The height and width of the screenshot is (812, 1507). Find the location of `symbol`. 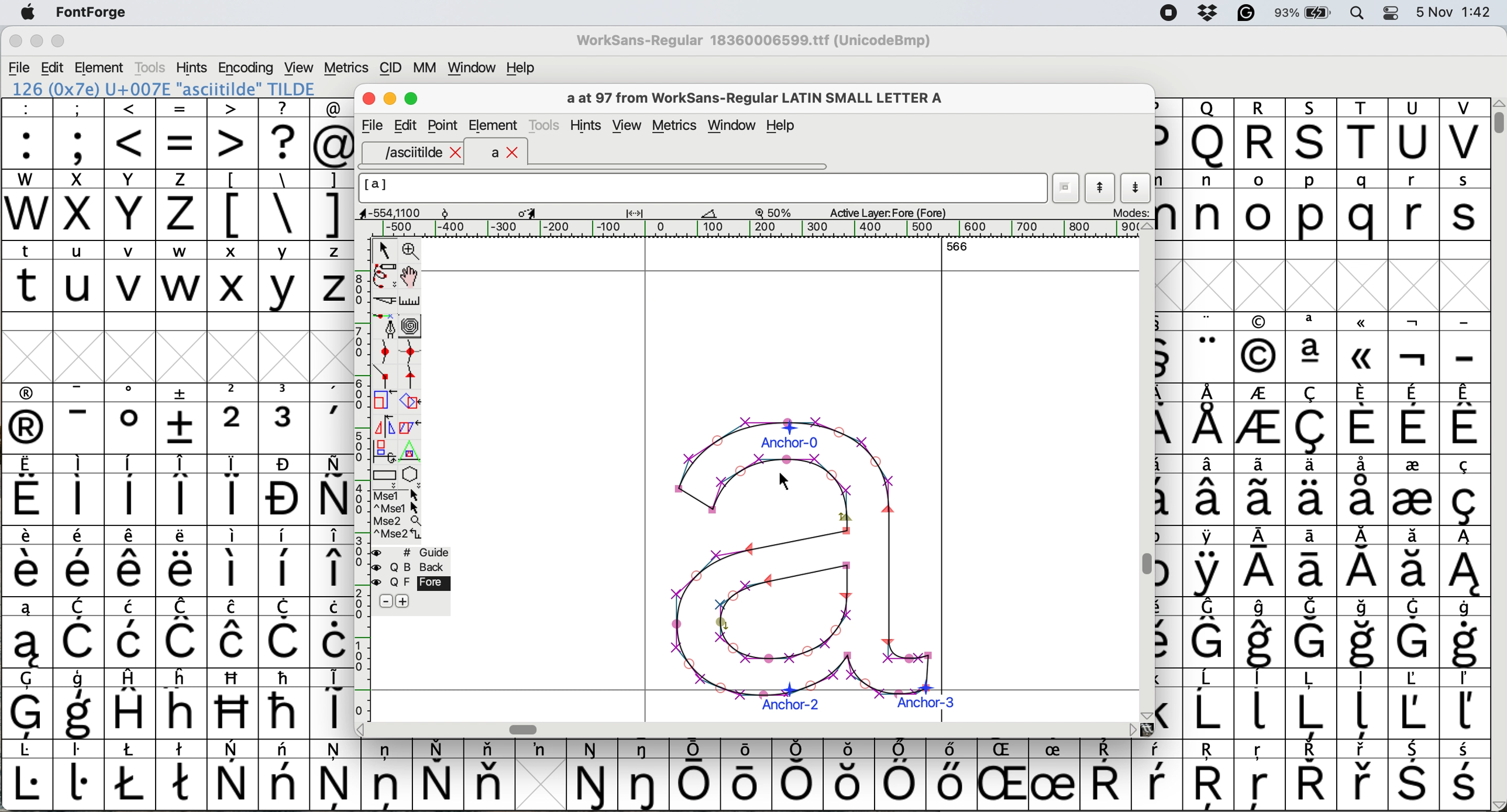

symbol is located at coordinates (332, 562).